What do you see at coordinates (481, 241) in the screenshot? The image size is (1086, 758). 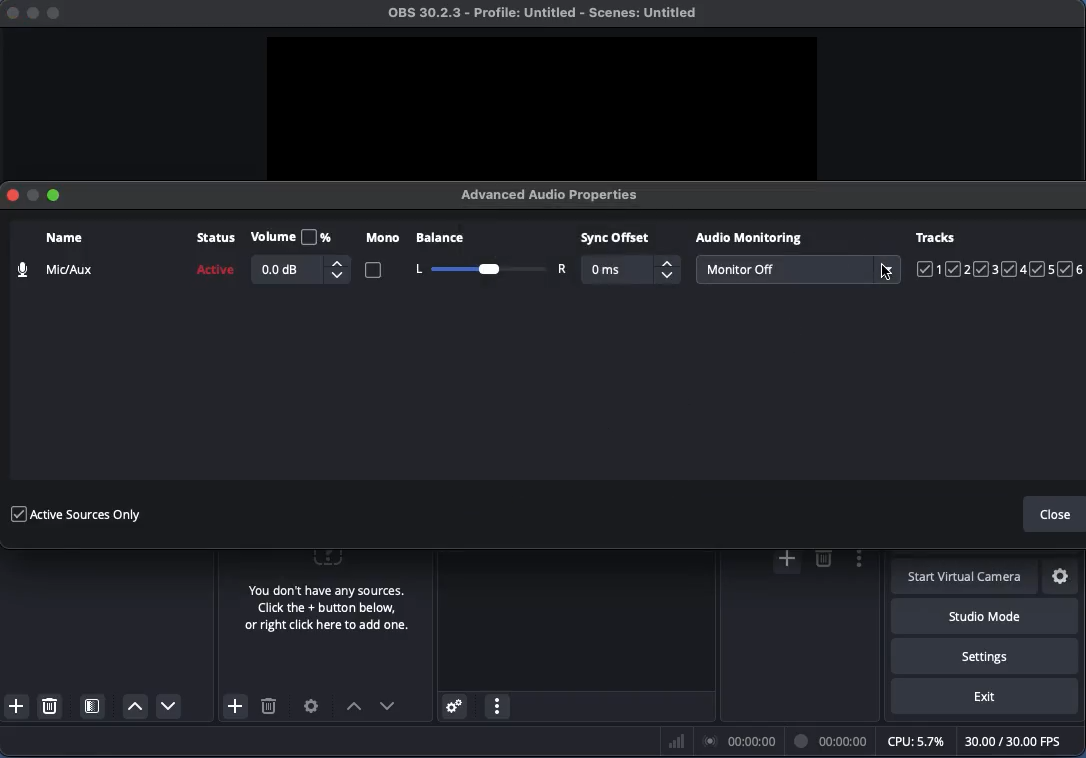 I see `Balance` at bounding box center [481, 241].